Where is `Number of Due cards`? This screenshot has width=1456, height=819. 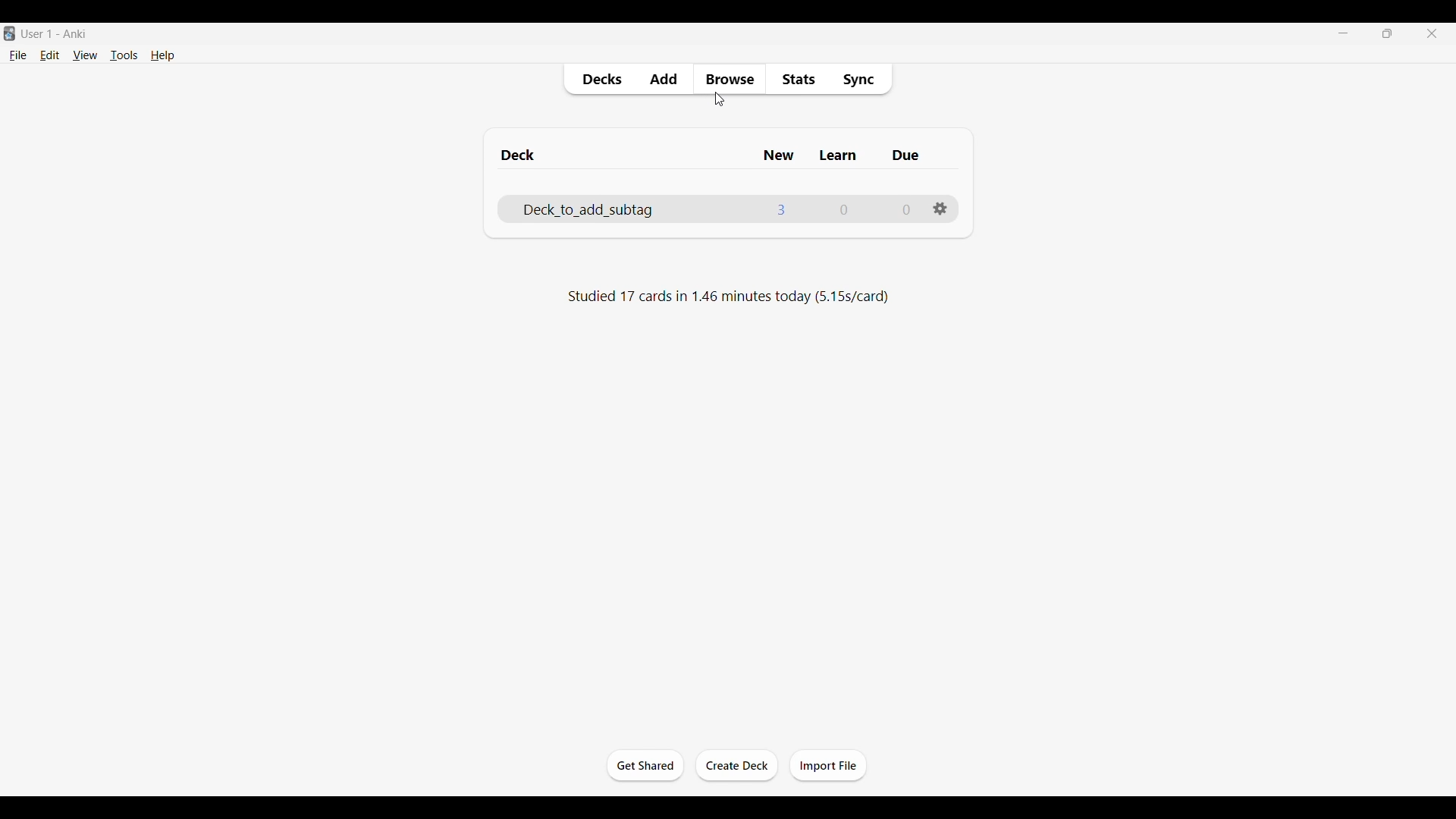
Number of Due cards is located at coordinates (905, 209).